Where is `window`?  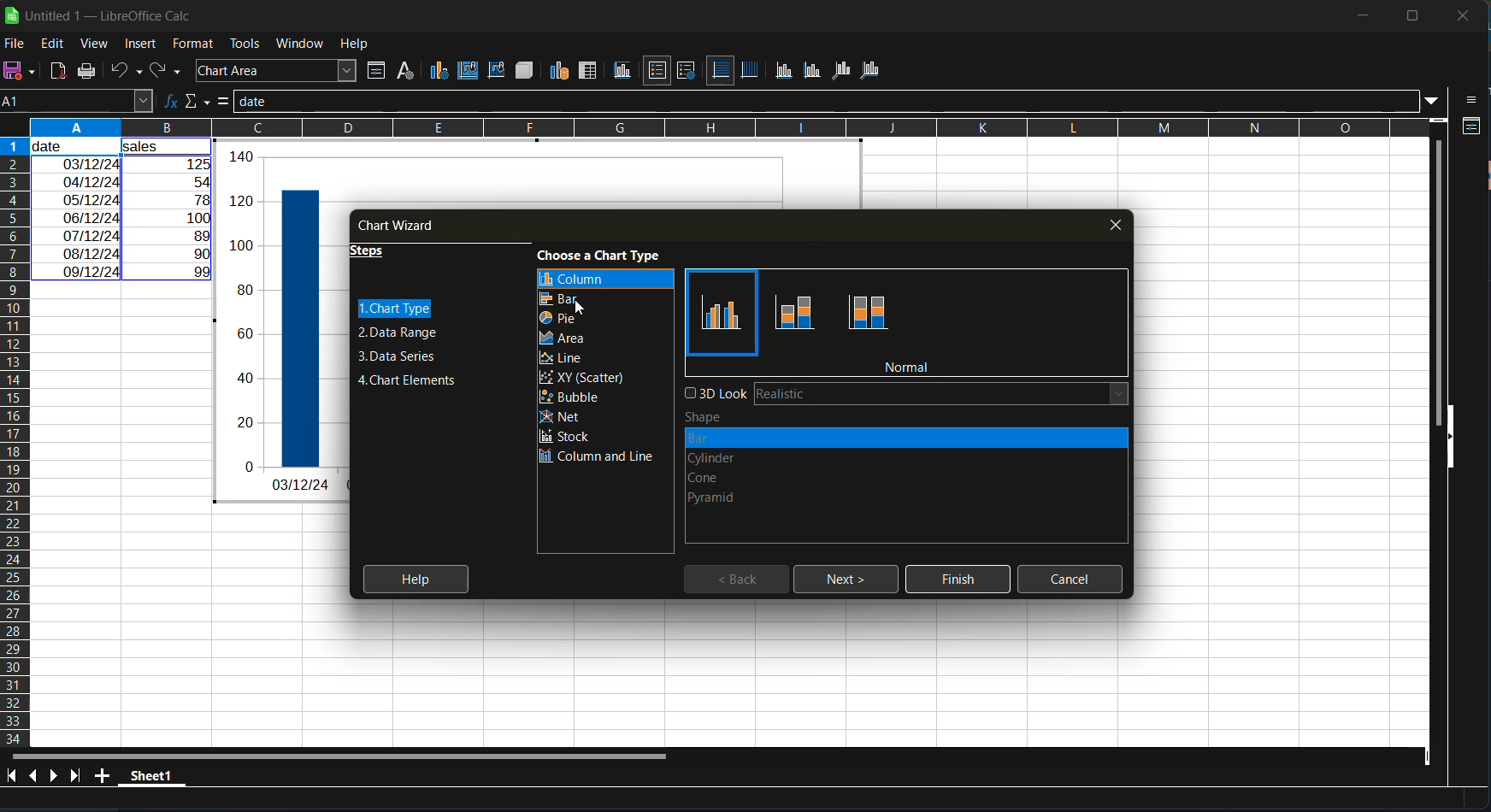
window is located at coordinates (301, 43).